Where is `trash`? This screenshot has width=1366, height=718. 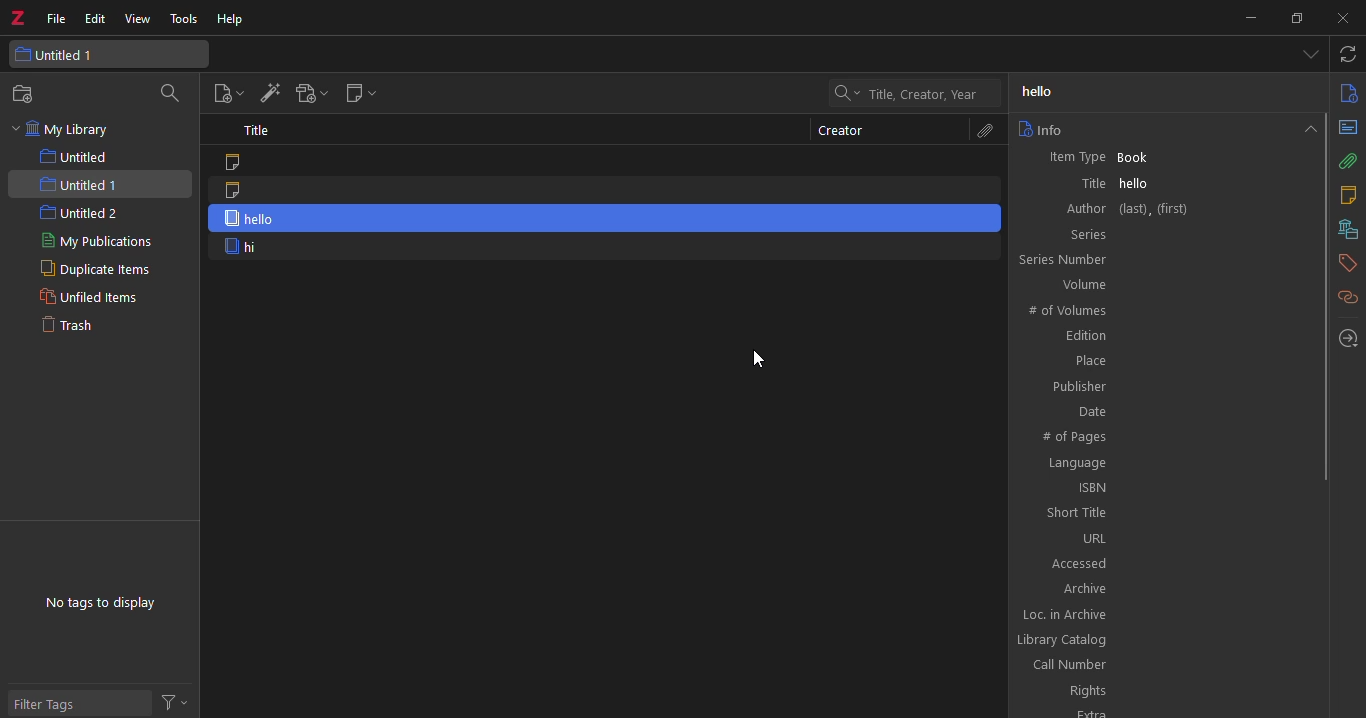
trash is located at coordinates (75, 327).